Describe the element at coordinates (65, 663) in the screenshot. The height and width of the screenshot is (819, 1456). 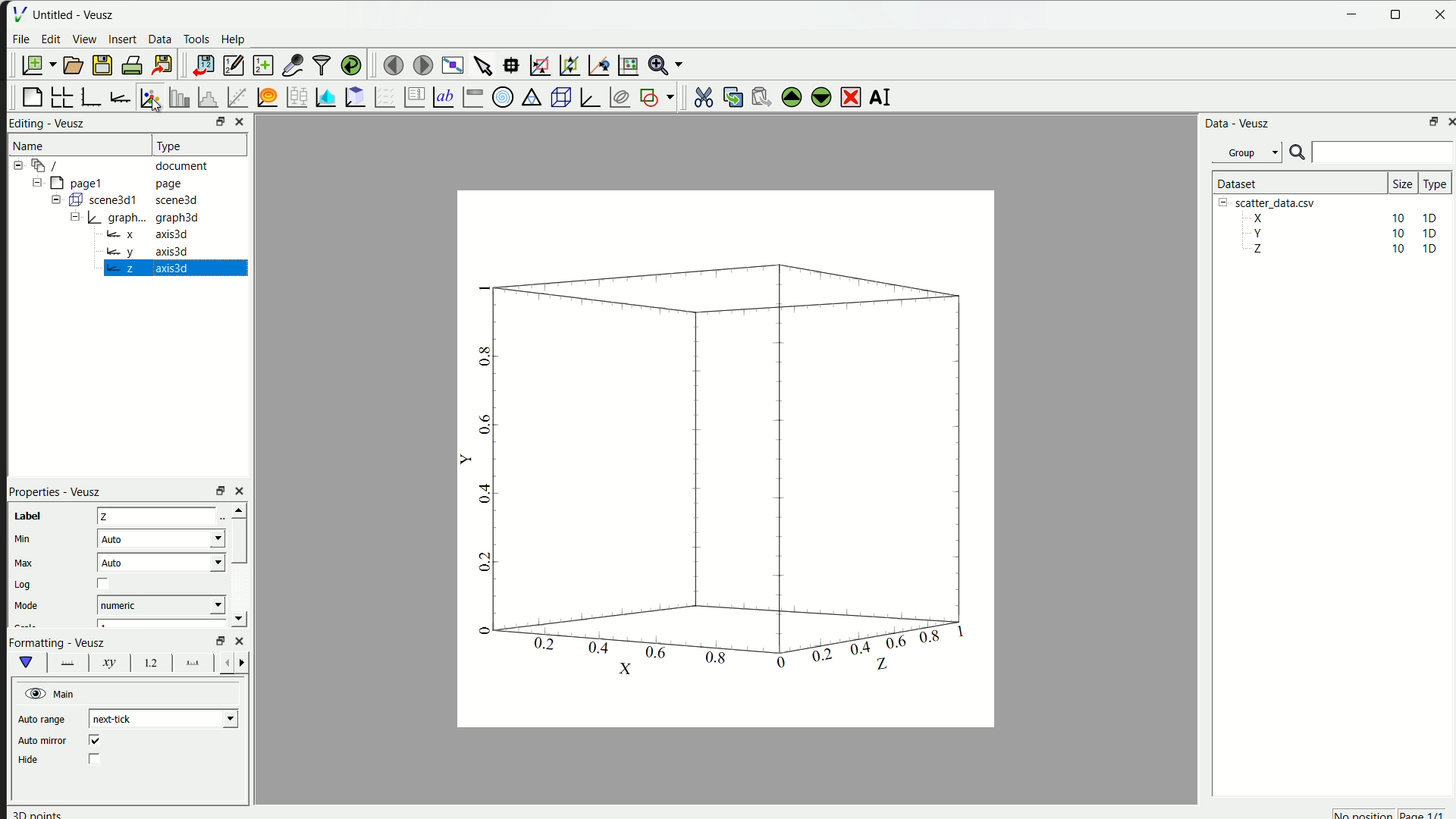
I see `font` at that location.